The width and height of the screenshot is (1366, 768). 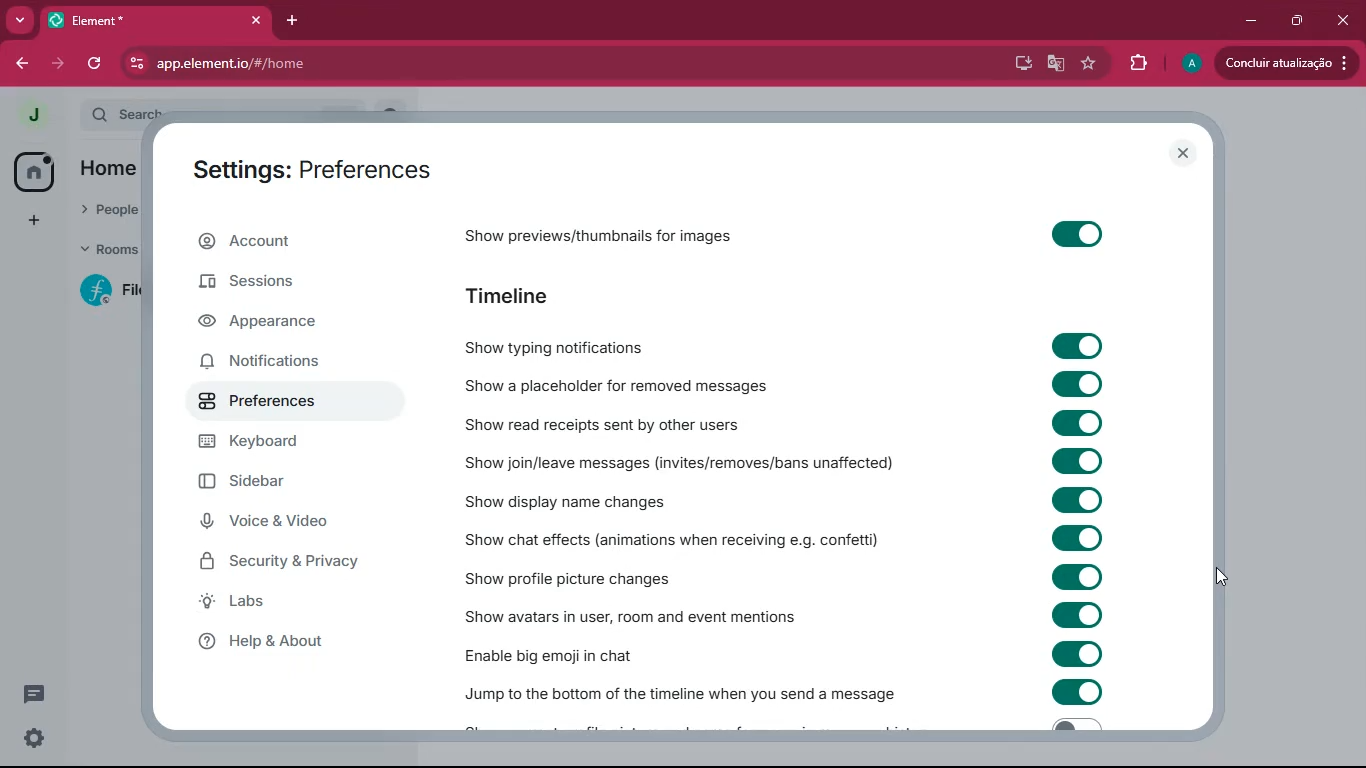 What do you see at coordinates (1073, 461) in the screenshot?
I see `toggle on ` at bounding box center [1073, 461].